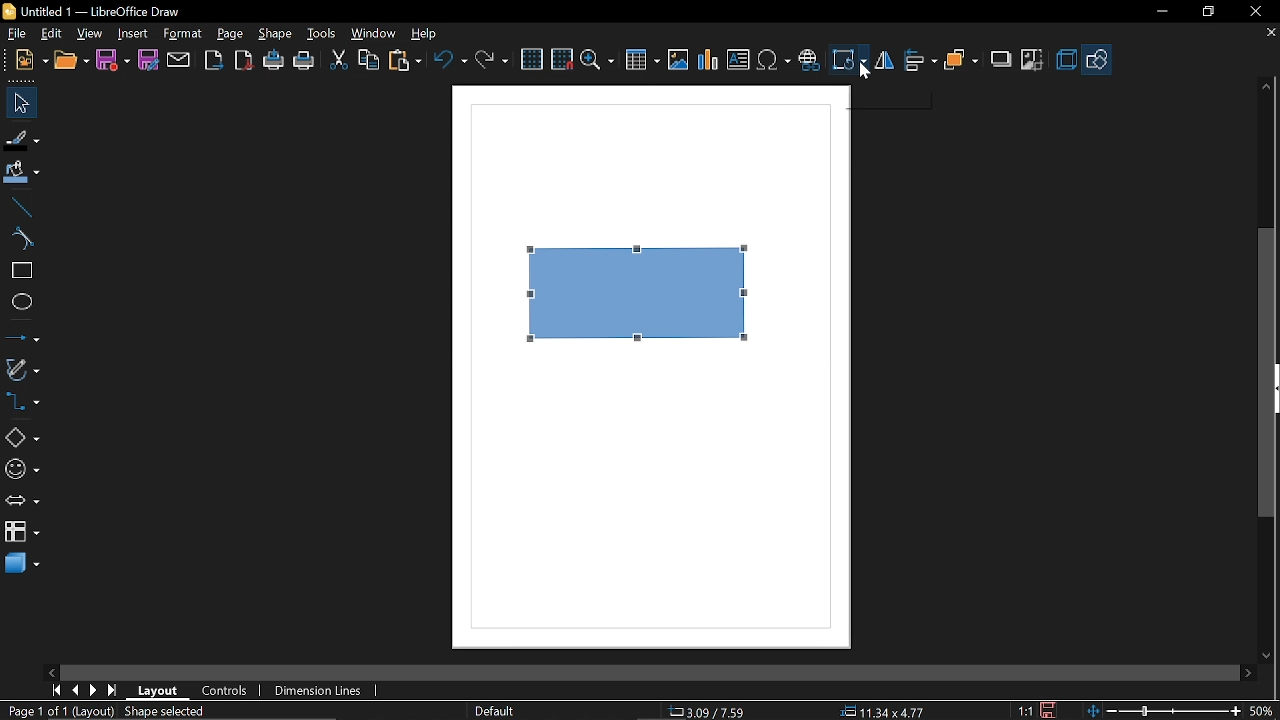 This screenshot has height=720, width=1280. Describe the element at coordinates (1262, 709) in the screenshot. I see `50%` at that location.